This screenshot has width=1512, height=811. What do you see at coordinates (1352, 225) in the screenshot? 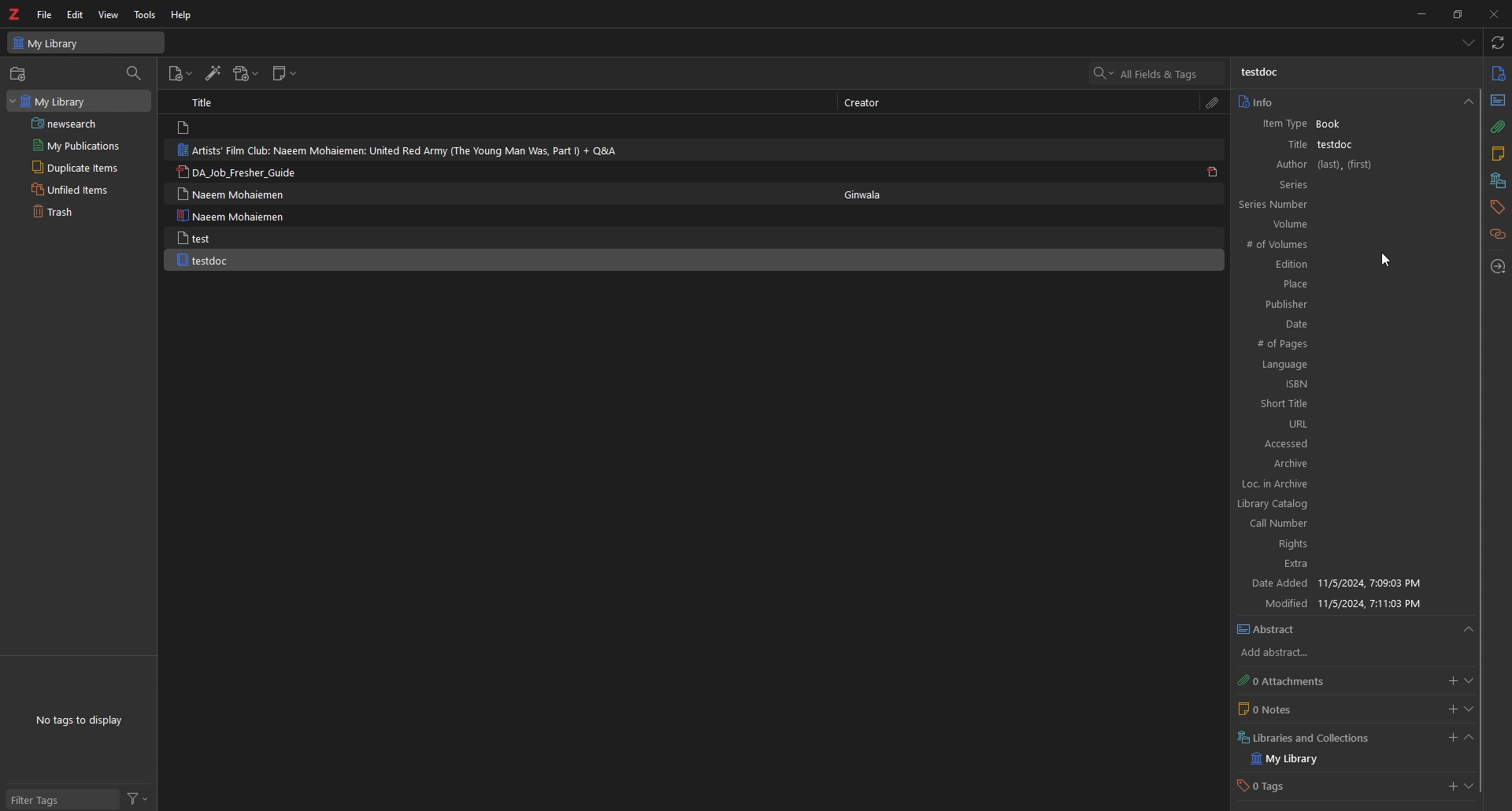
I see `Volume` at bounding box center [1352, 225].